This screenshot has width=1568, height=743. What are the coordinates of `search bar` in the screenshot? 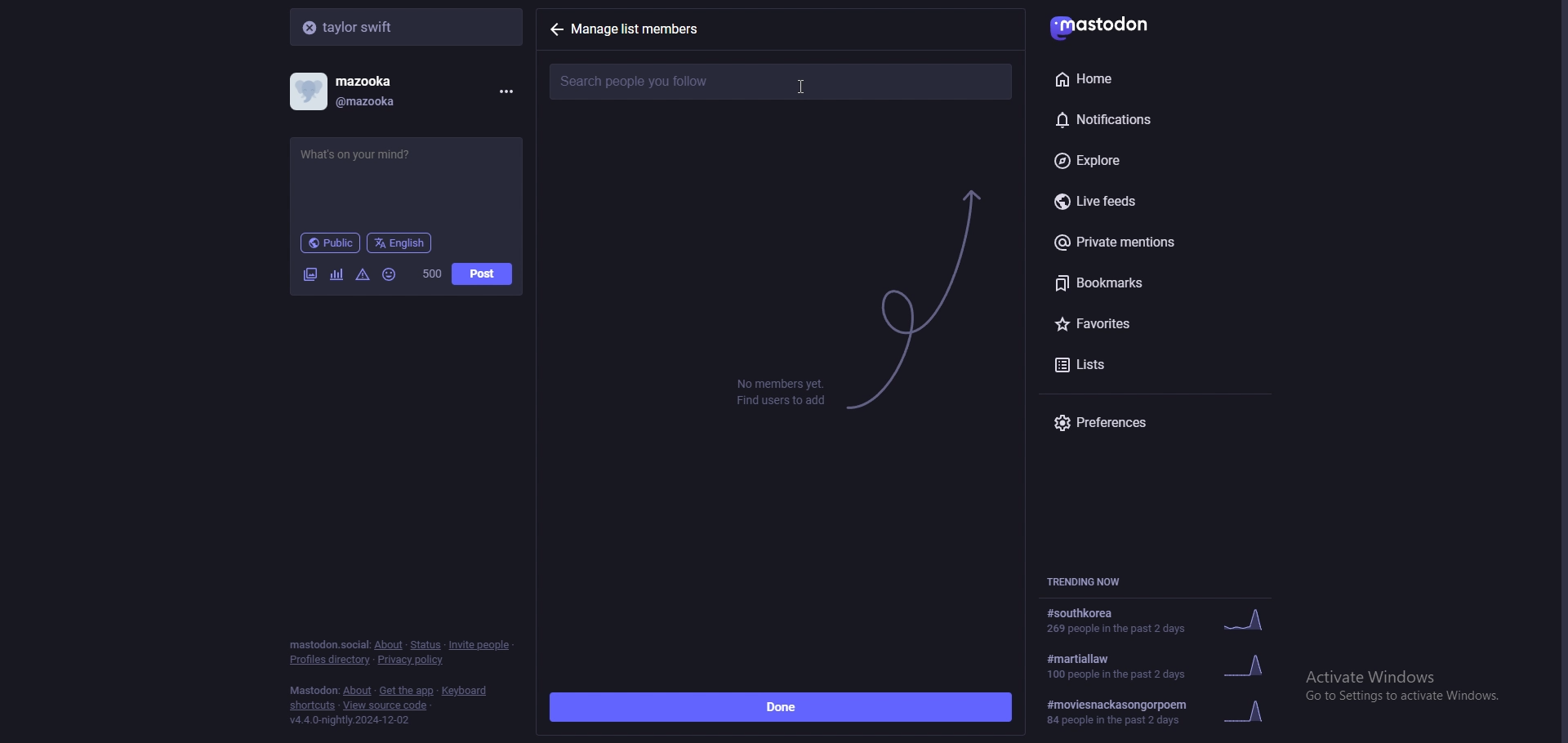 It's located at (408, 26).